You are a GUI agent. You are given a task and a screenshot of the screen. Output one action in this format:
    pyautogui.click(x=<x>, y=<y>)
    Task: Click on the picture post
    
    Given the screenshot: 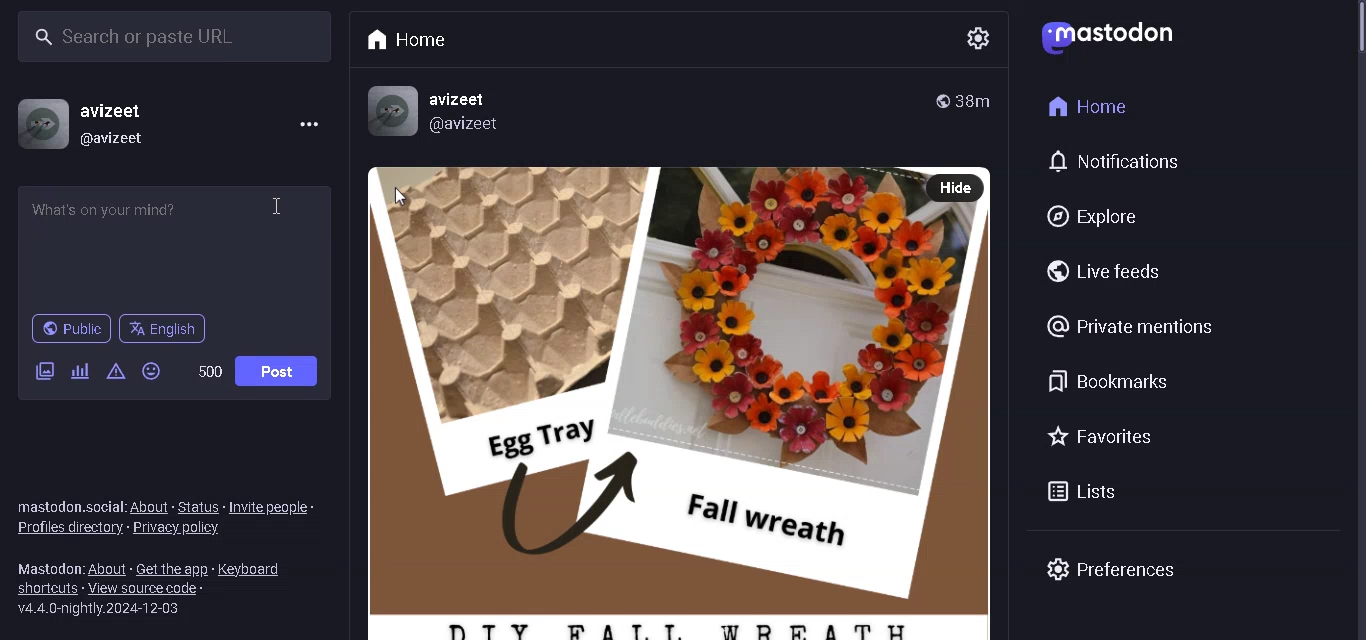 What is the action you would take?
    pyautogui.click(x=636, y=400)
    